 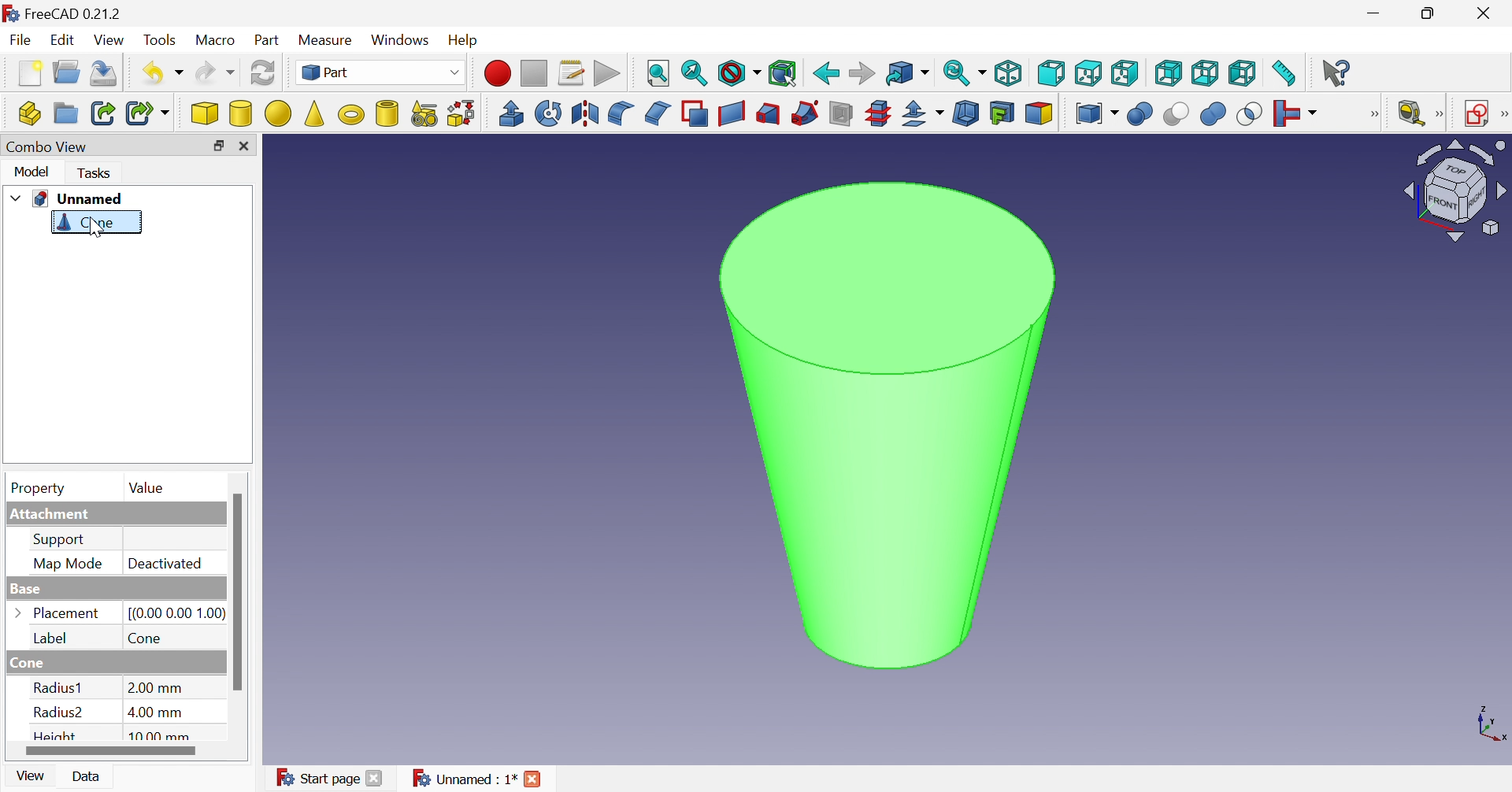 I want to click on What's this?, so click(x=1338, y=74).